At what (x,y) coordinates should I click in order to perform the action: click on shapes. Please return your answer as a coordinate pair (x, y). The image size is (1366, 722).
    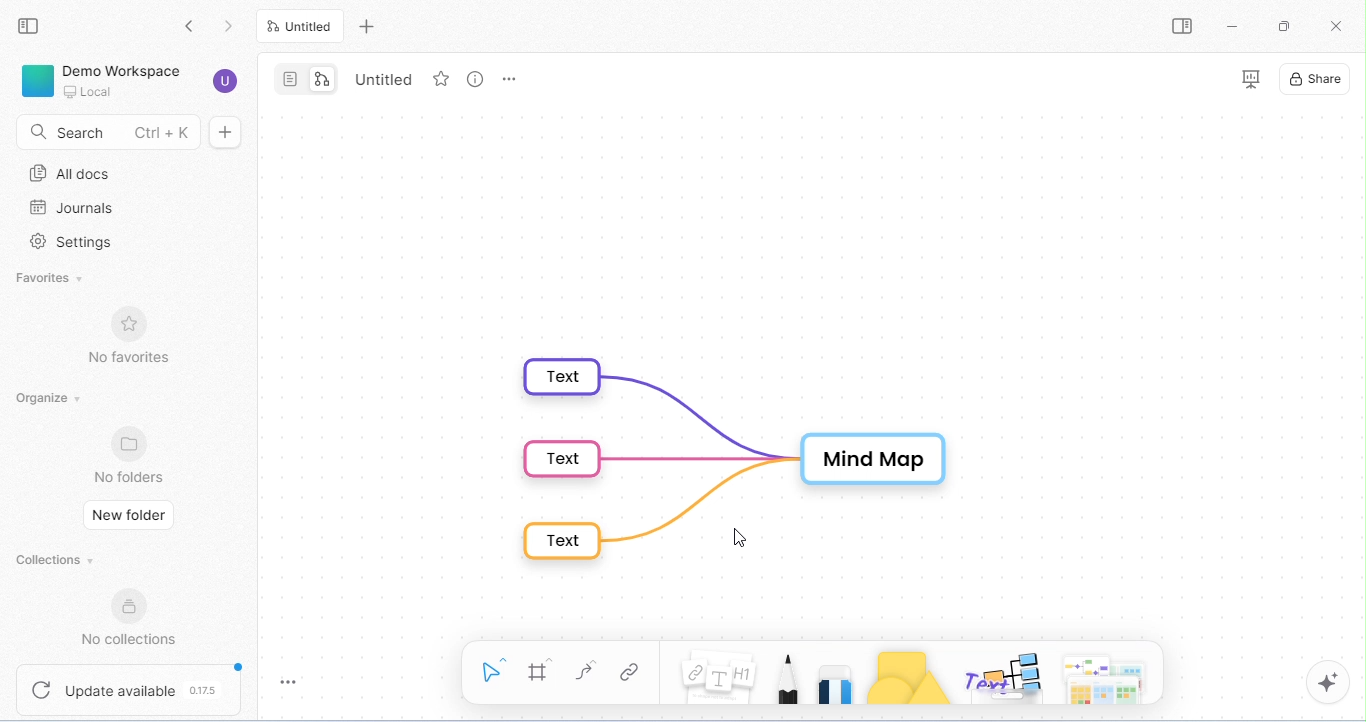
    Looking at the image, I should click on (909, 680).